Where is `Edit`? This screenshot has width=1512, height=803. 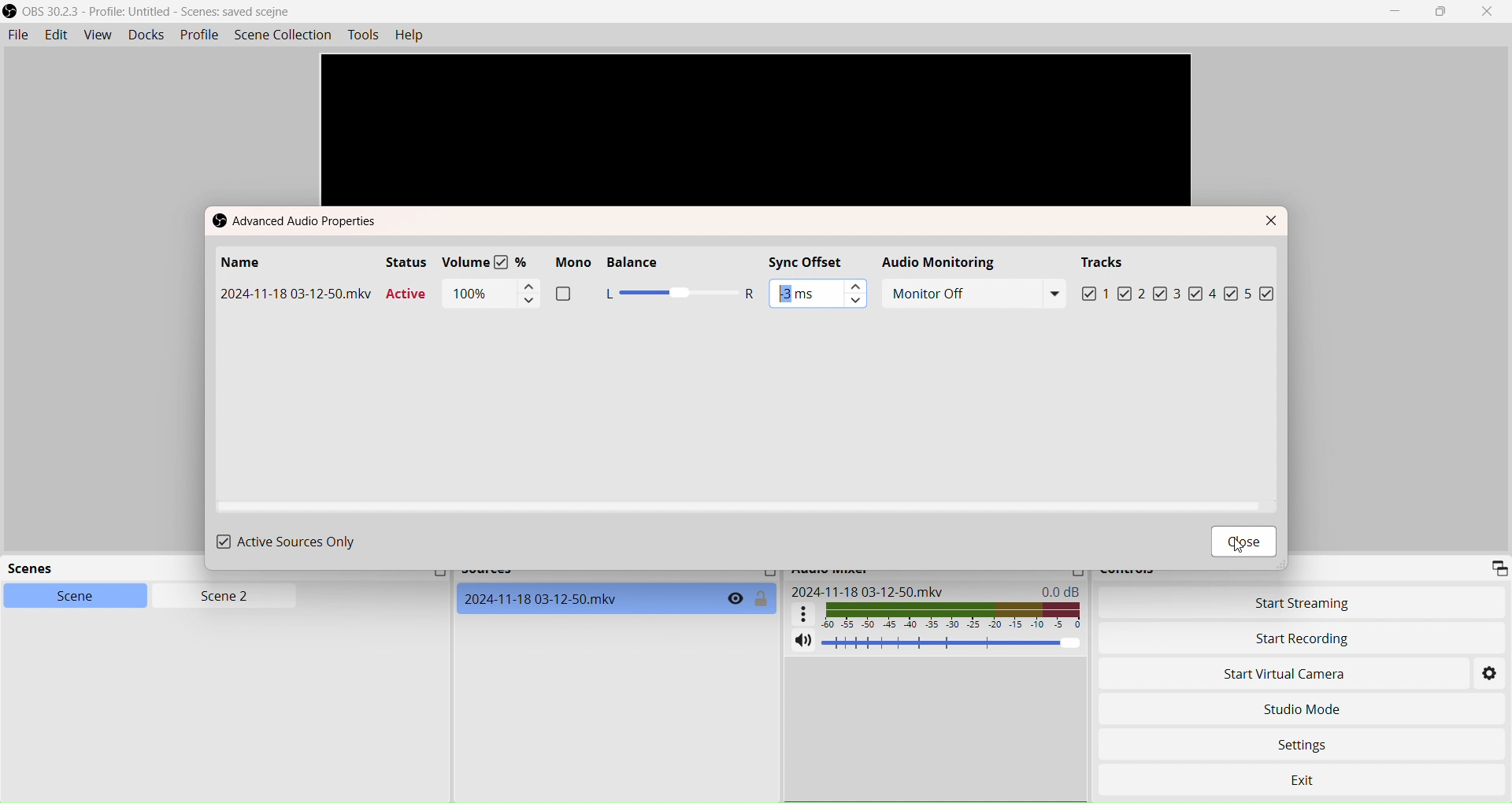 Edit is located at coordinates (54, 35).